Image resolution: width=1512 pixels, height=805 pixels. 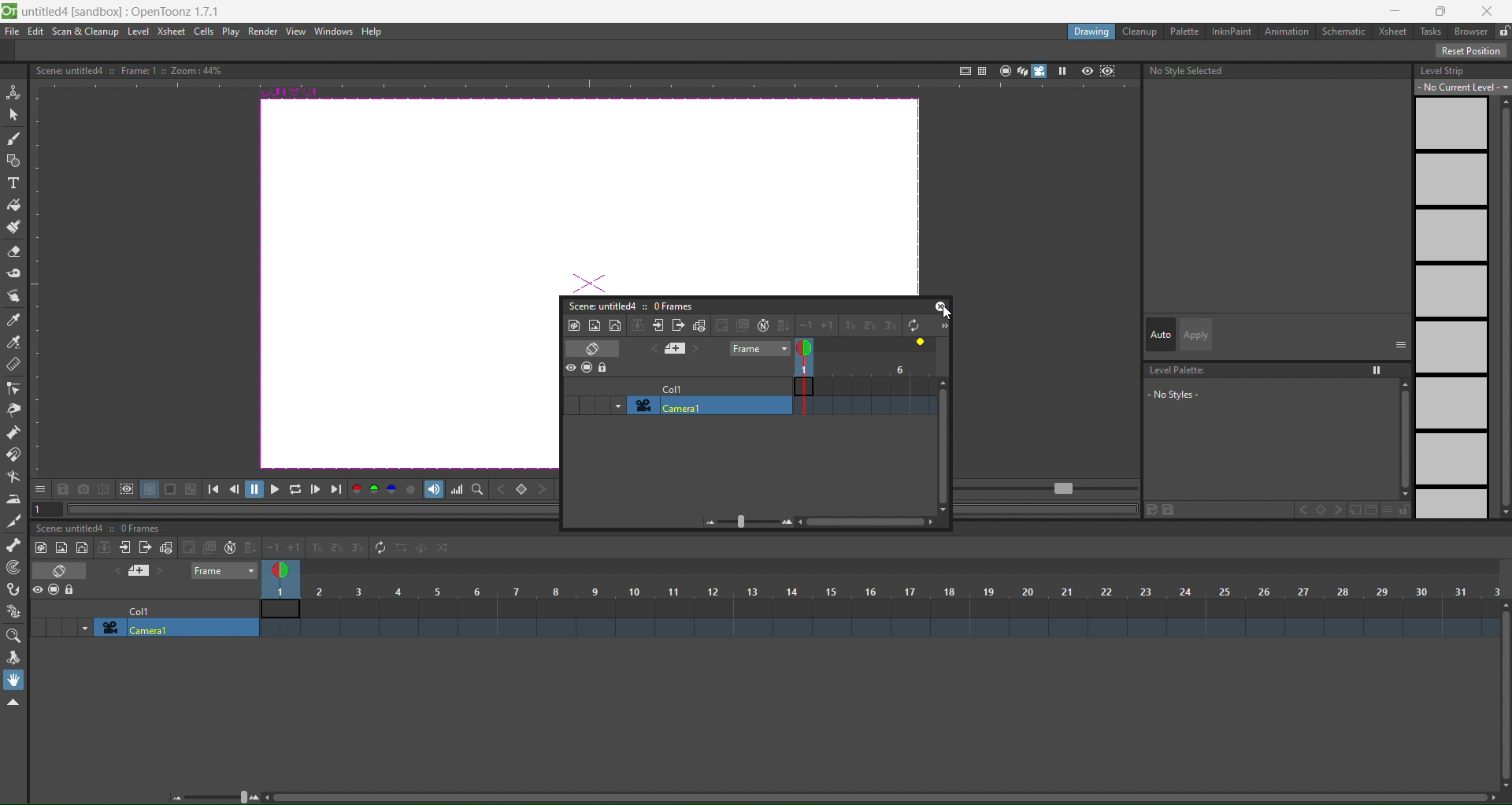 What do you see at coordinates (276, 492) in the screenshot?
I see `playback options` at bounding box center [276, 492].